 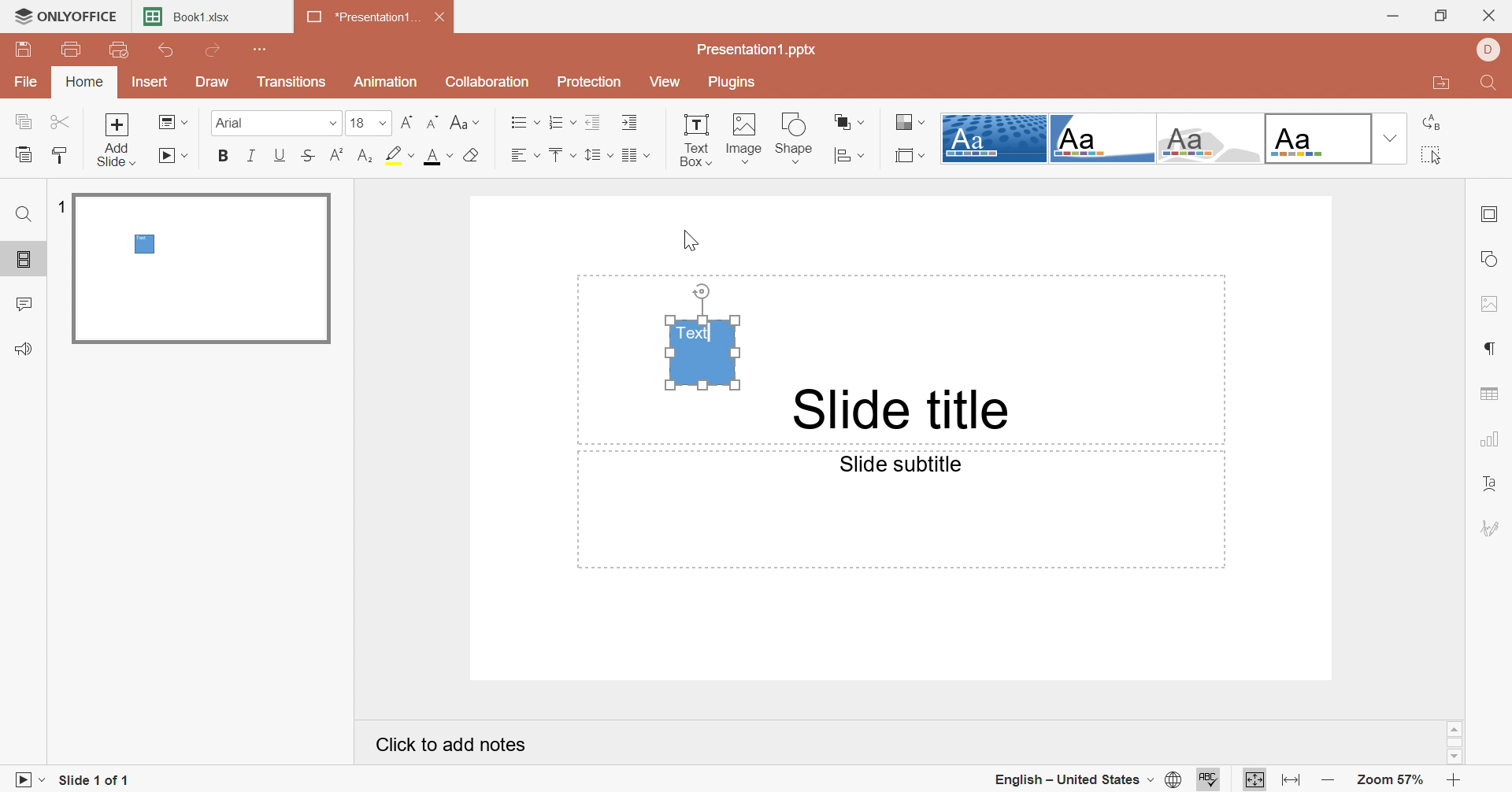 What do you see at coordinates (1254, 780) in the screenshot?
I see `Fit to slide` at bounding box center [1254, 780].